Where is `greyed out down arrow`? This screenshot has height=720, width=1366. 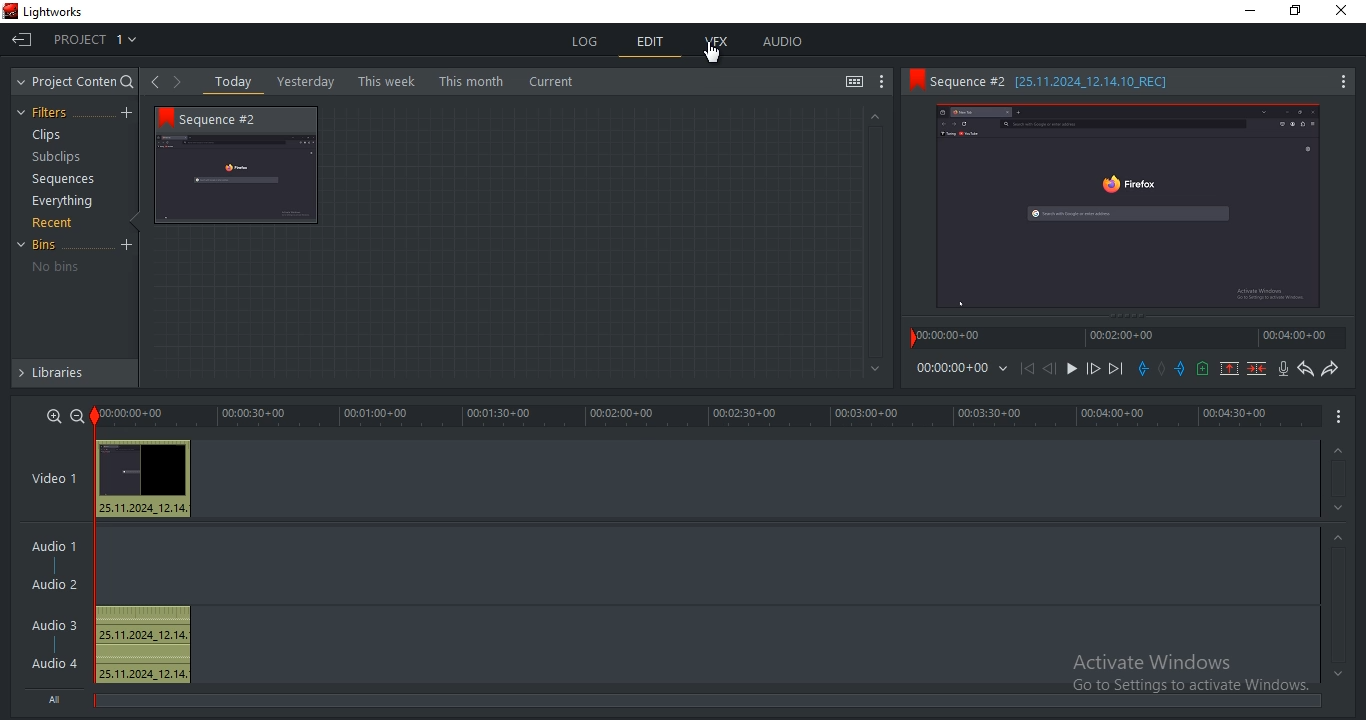 greyed out down arrow is located at coordinates (873, 369).